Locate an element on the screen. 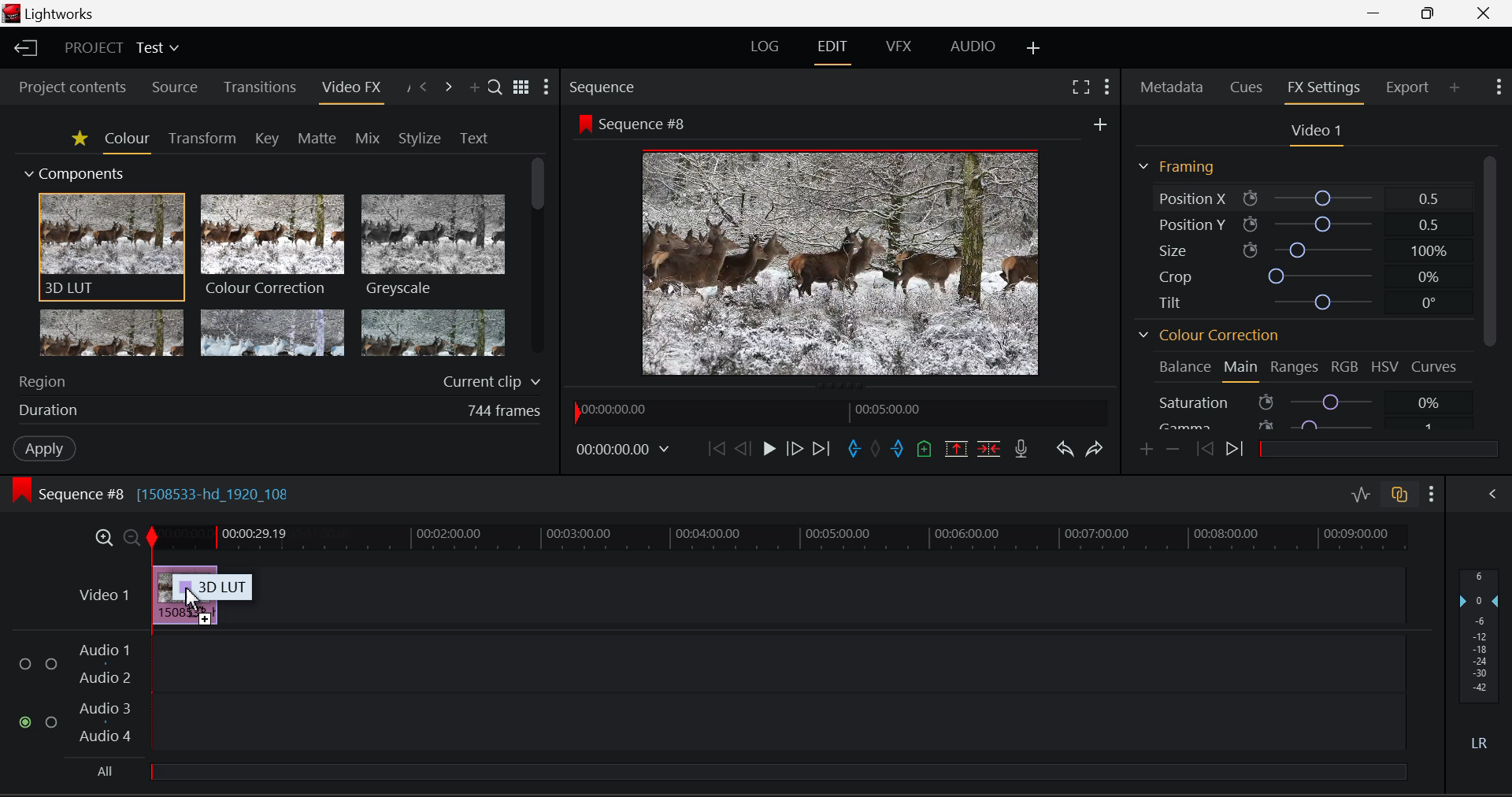  Window Title is located at coordinates (52, 13).